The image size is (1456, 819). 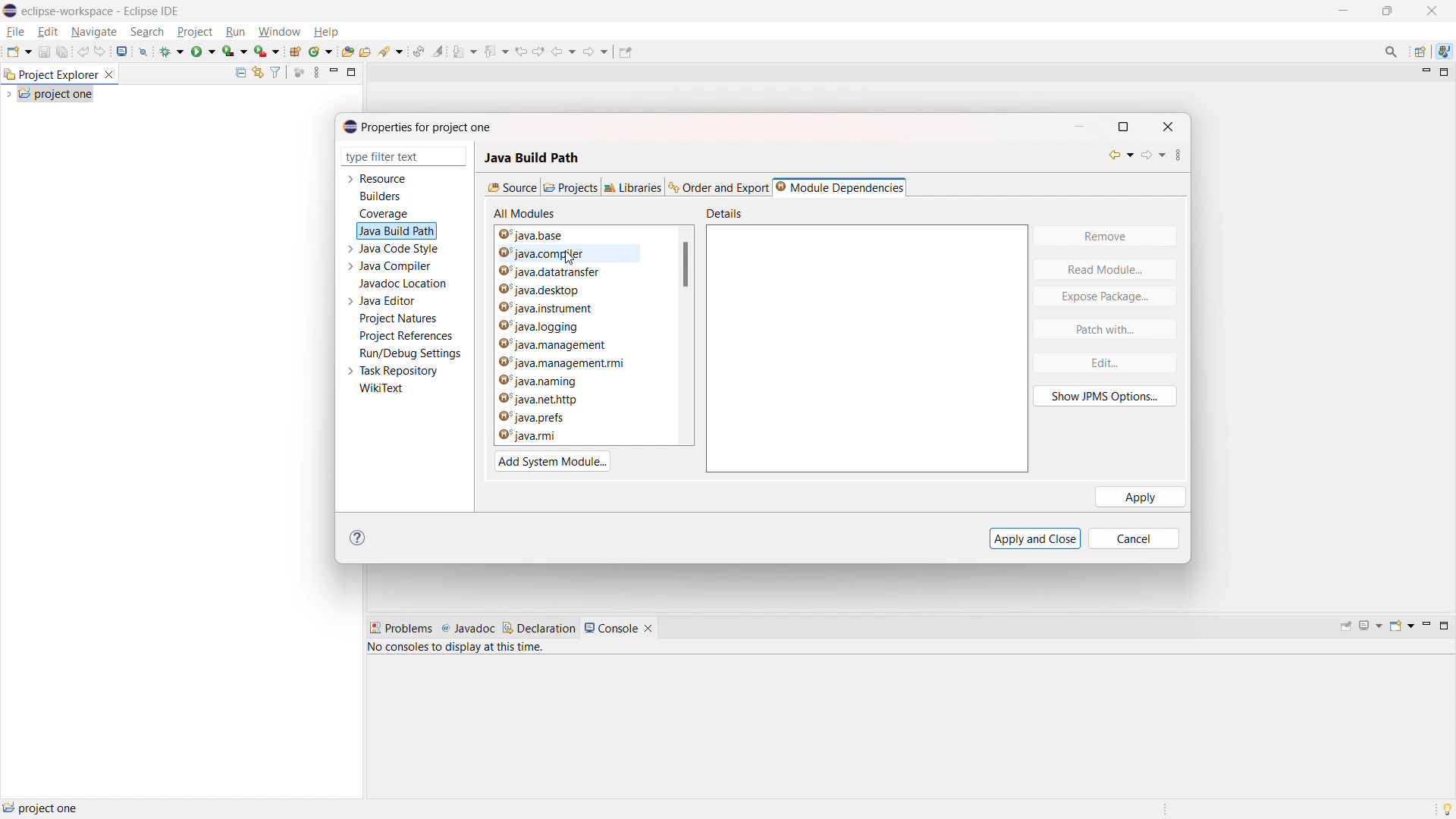 I want to click on properties for project one, so click(x=418, y=127).